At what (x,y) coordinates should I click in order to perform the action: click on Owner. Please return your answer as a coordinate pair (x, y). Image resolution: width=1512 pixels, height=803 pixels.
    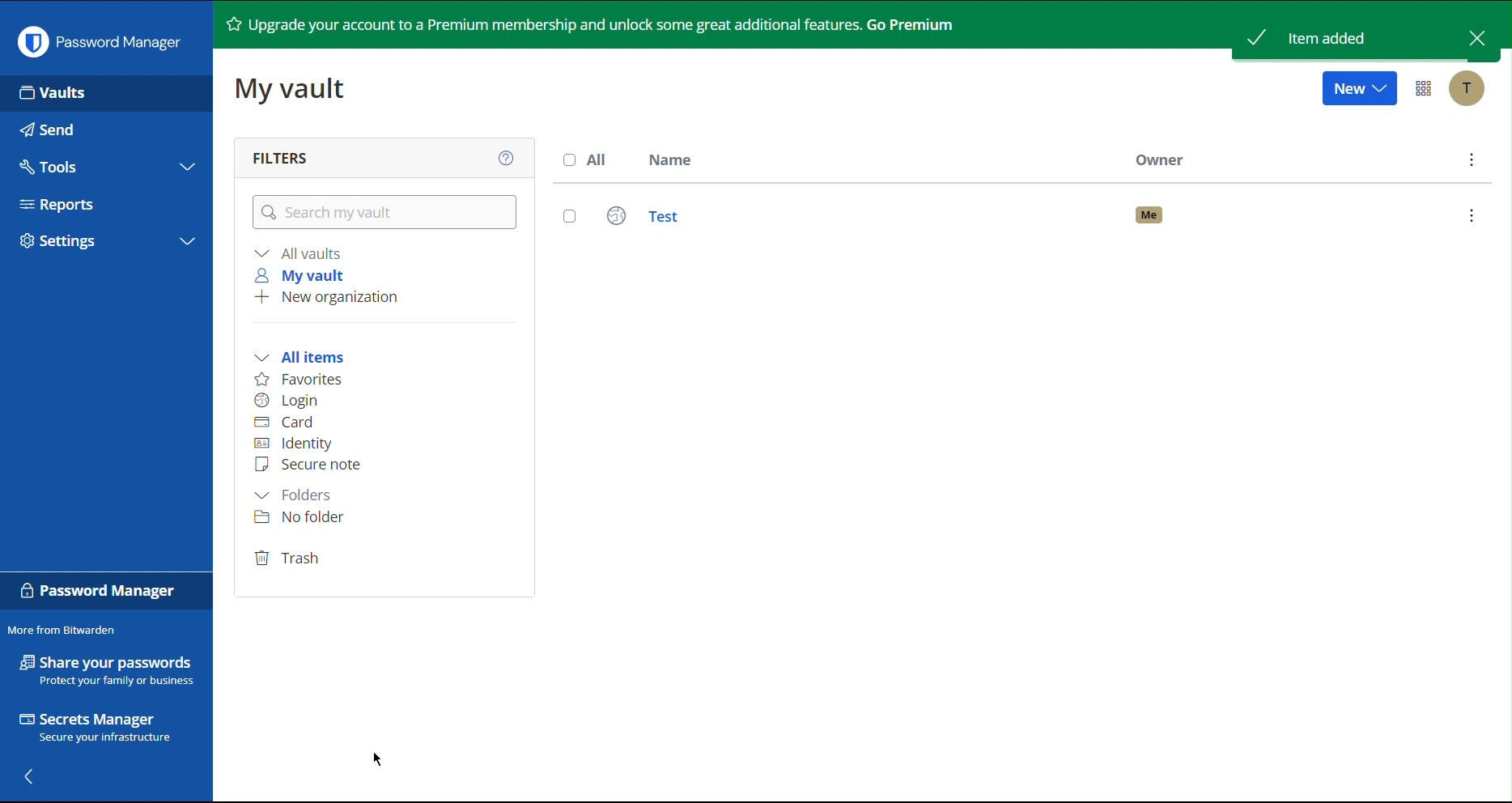
    Looking at the image, I should click on (1159, 159).